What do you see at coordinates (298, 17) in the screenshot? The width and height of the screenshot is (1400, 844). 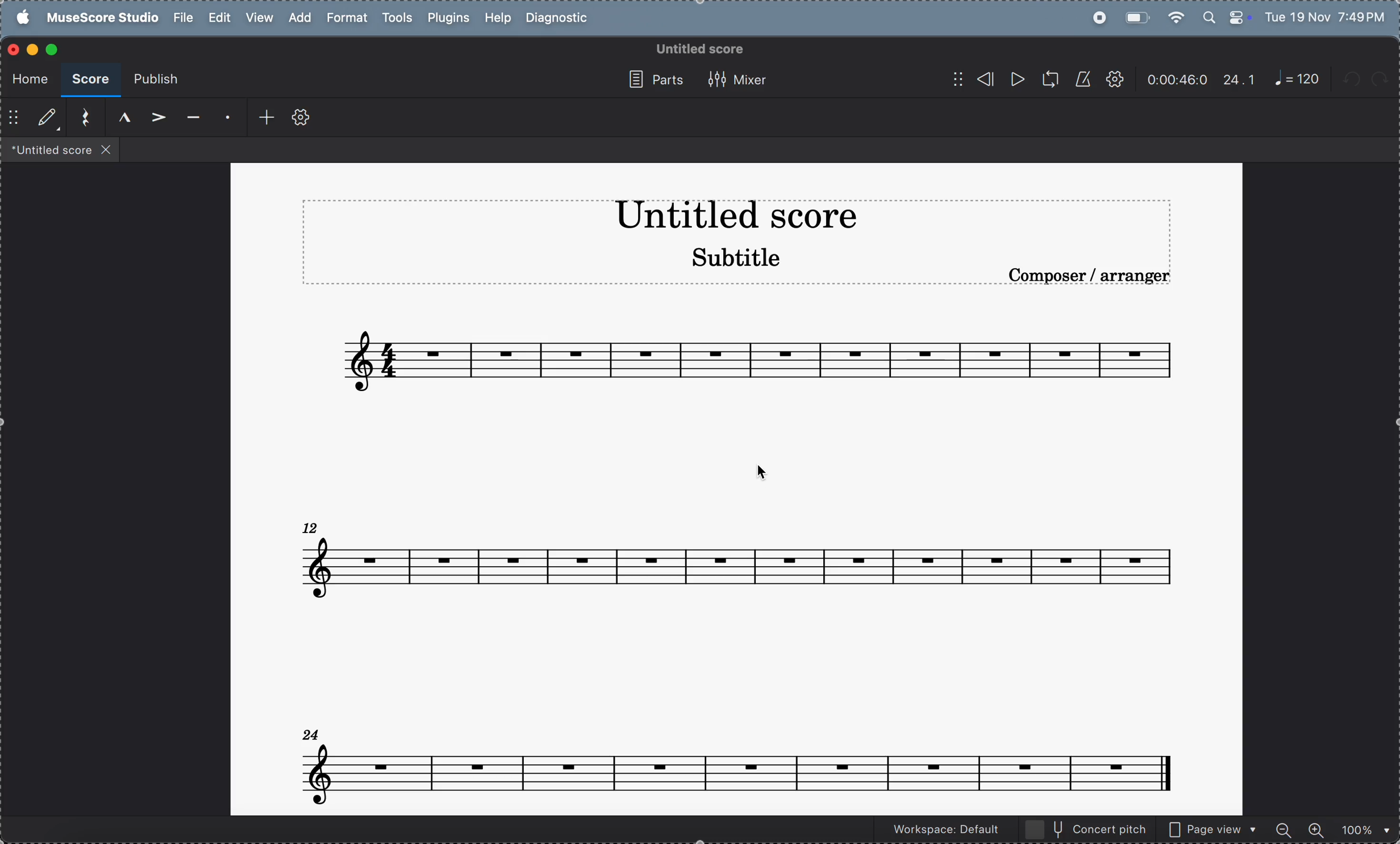 I see `add` at bounding box center [298, 17].